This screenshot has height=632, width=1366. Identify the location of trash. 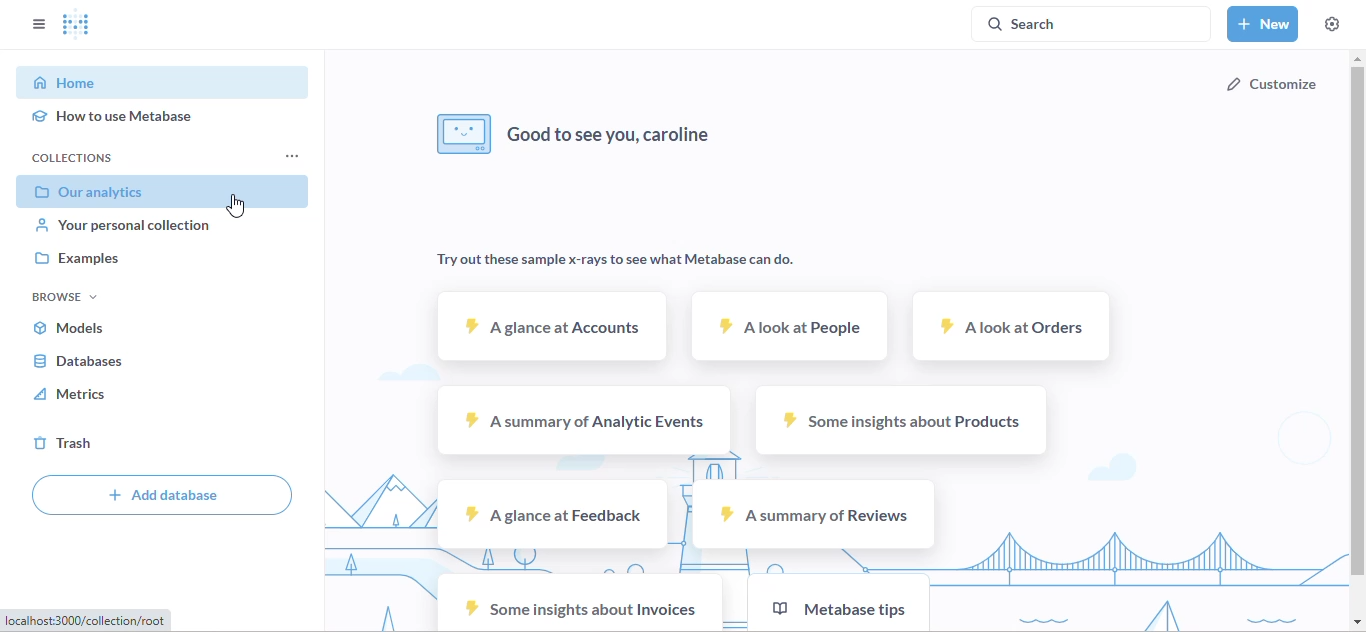
(62, 443).